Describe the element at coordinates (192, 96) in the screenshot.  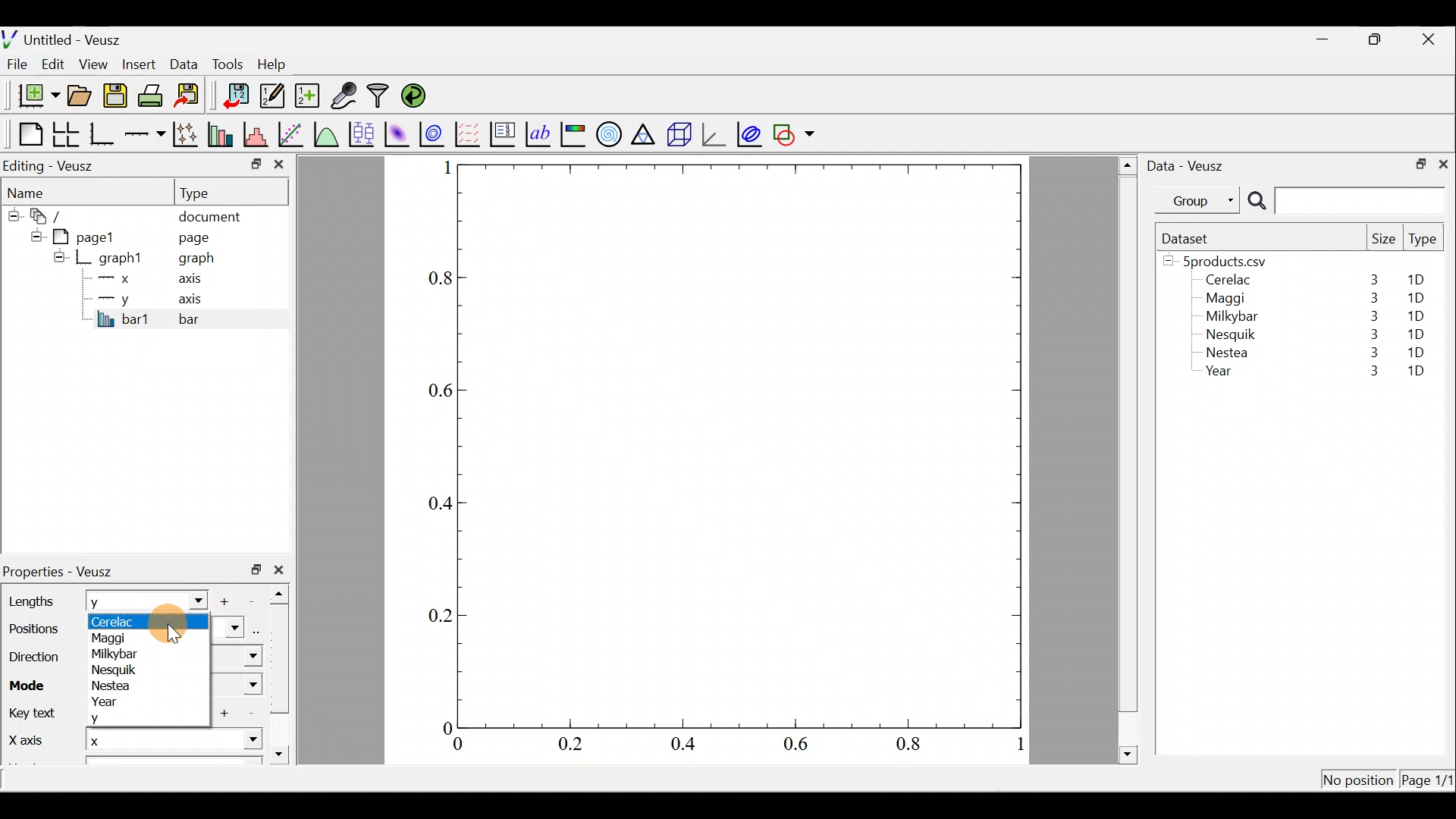
I see `Export to graphics format` at that location.